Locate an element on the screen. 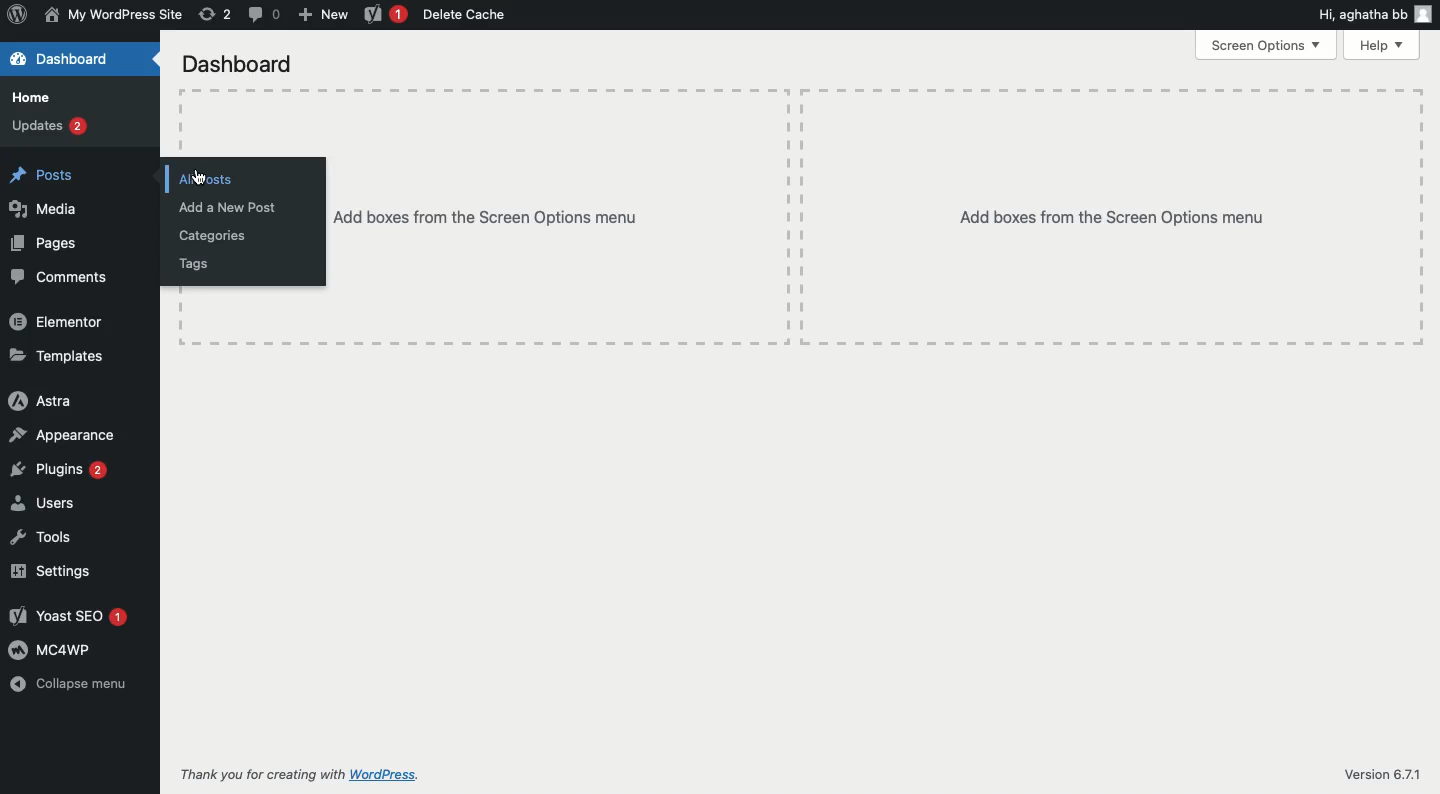  Users is located at coordinates (44, 500).